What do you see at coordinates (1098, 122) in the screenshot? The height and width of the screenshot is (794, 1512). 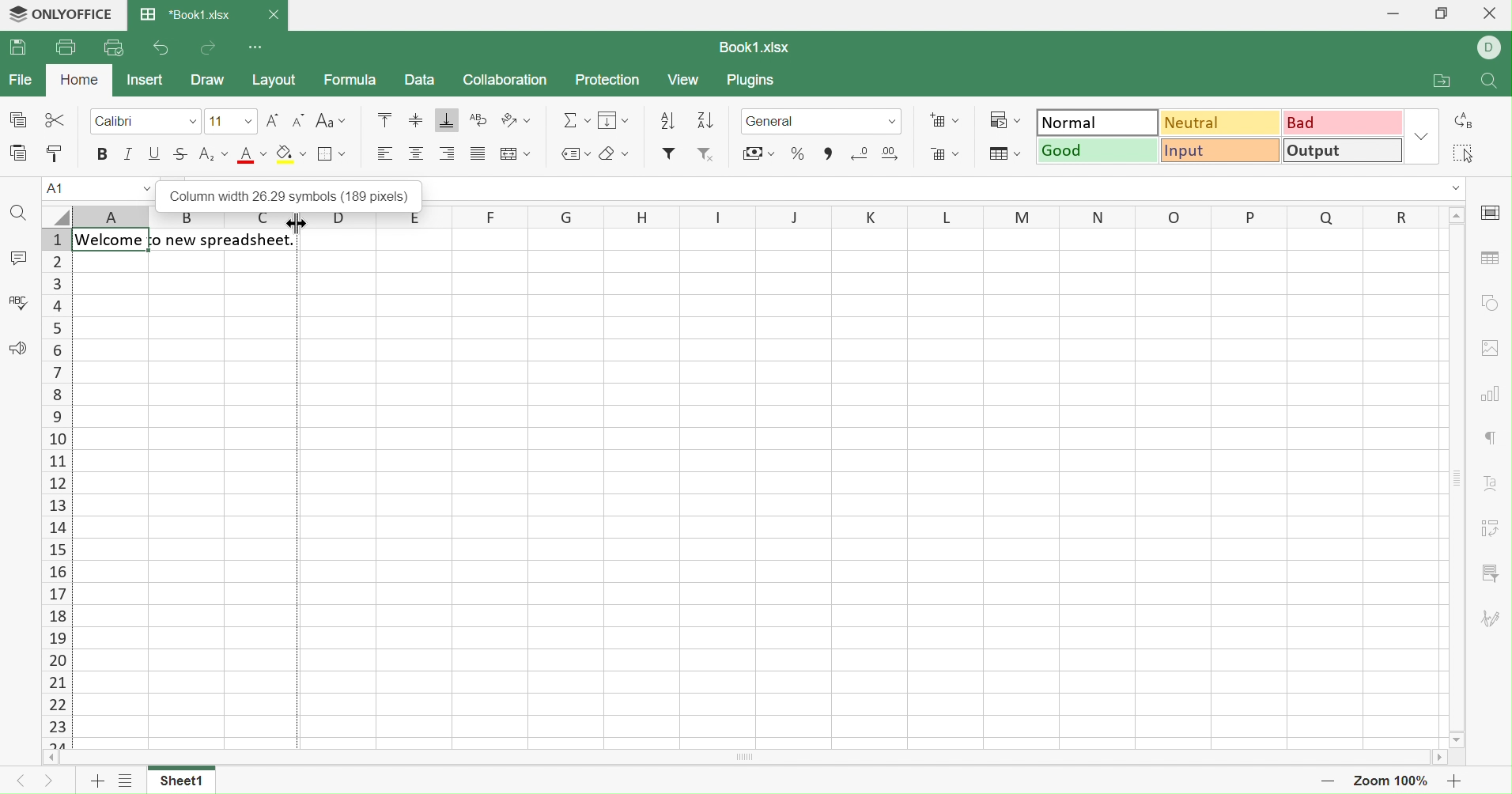 I see `Normal` at bounding box center [1098, 122].